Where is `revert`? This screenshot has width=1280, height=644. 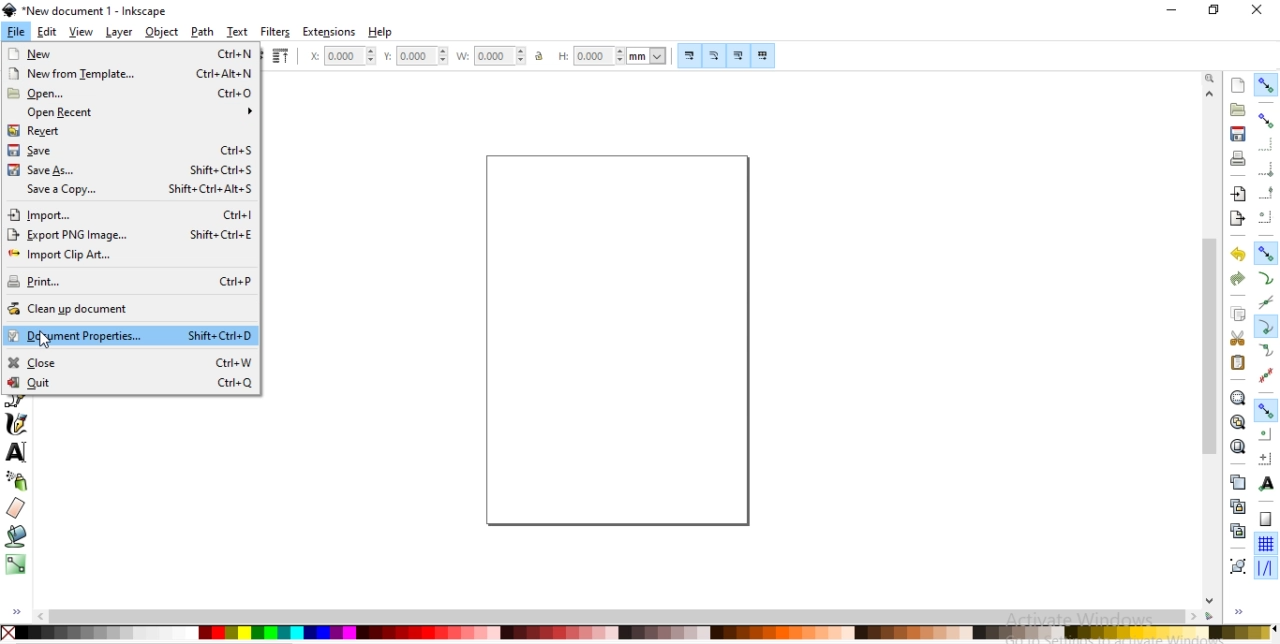
revert is located at coordinates (127, 132).